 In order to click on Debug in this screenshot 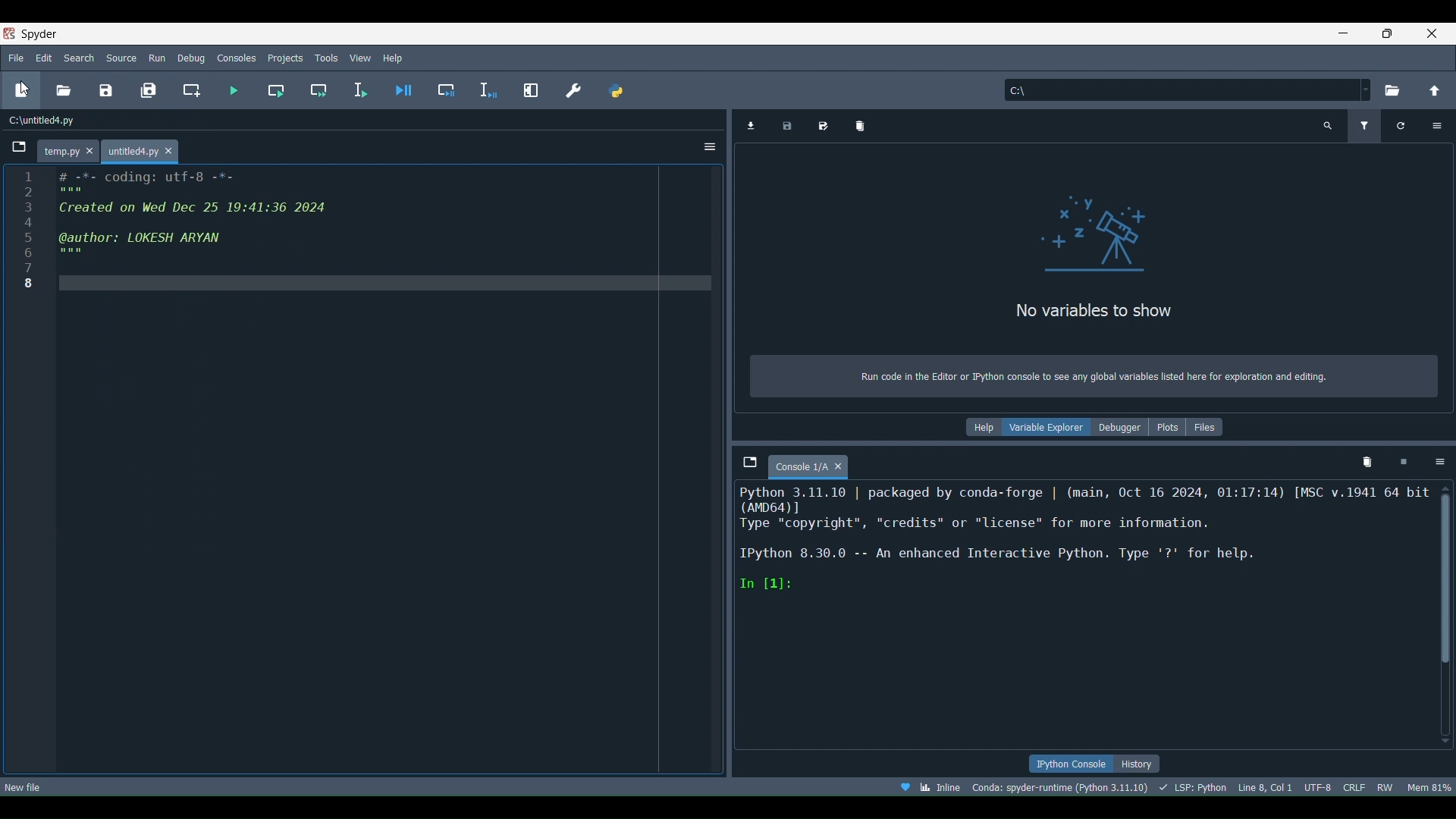, I will do `click(192, 56)`.